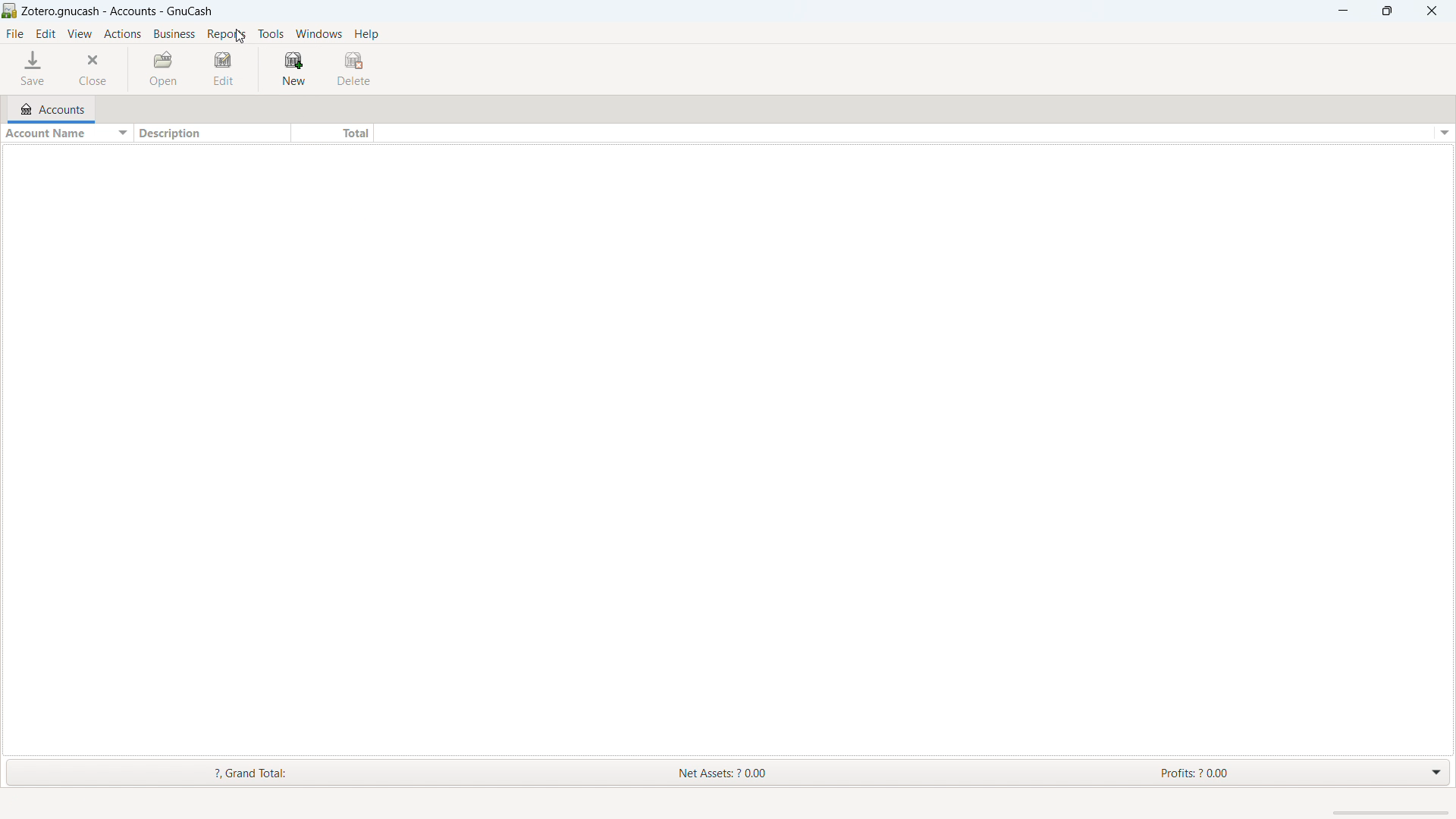 This screenshot has height=819, width=1456. What do you see at coordinates (1386, 11) in the screenshot?
I see `maximize` at bounding box center [1386, 11].